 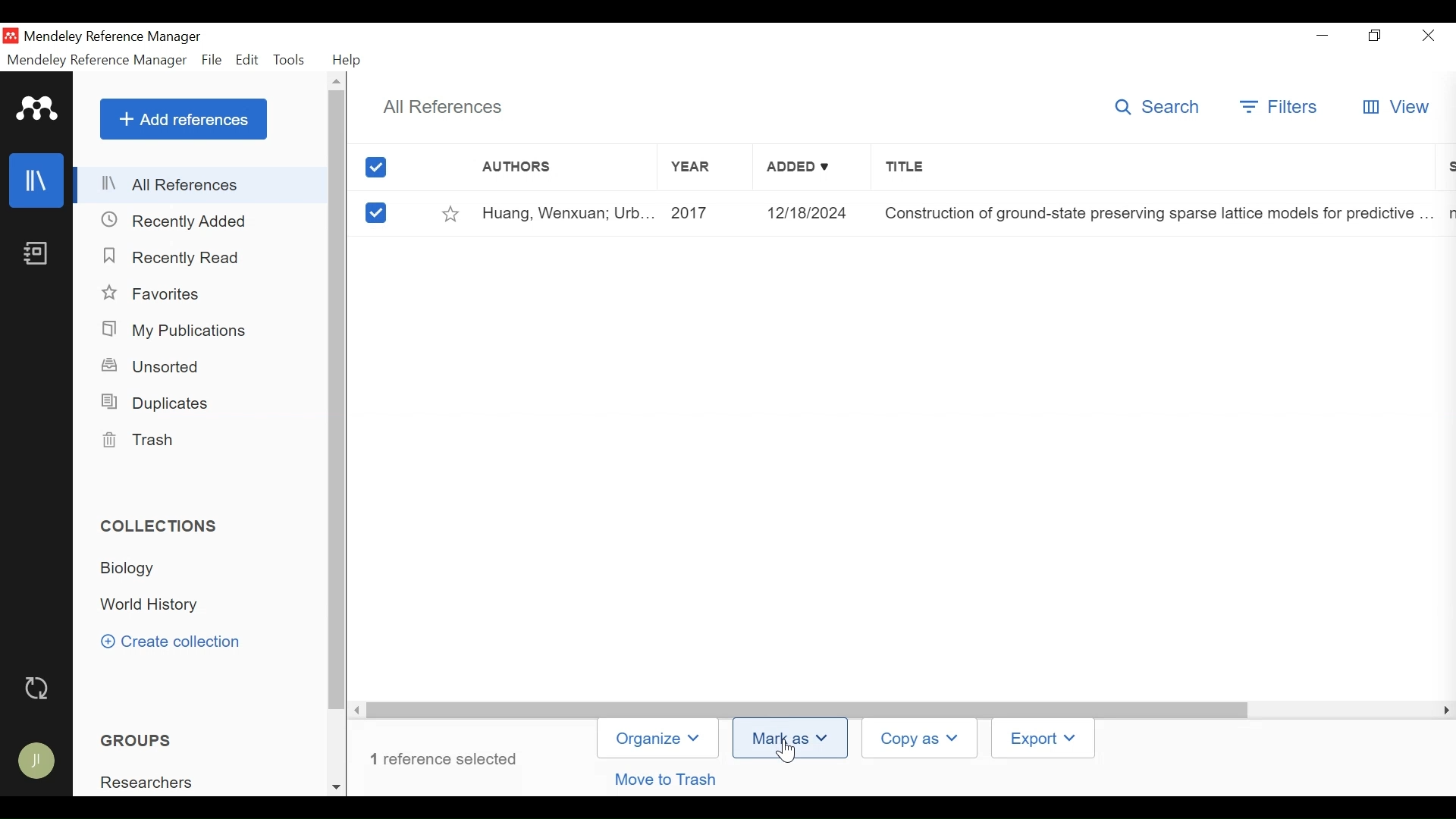 I want to click on Copy as, so click(x=918, y=738).